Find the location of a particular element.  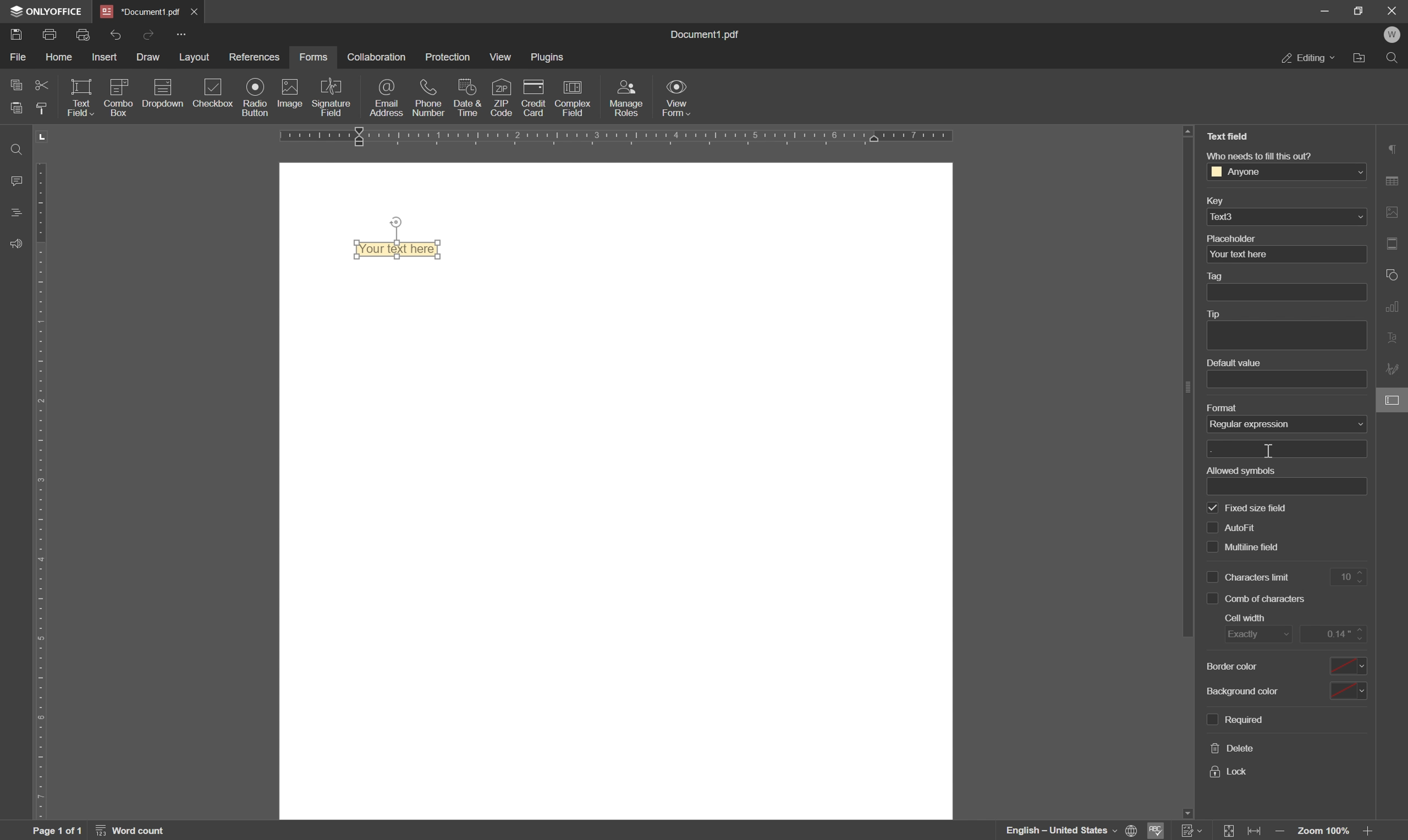

headings is located at coordinates (13, 213).